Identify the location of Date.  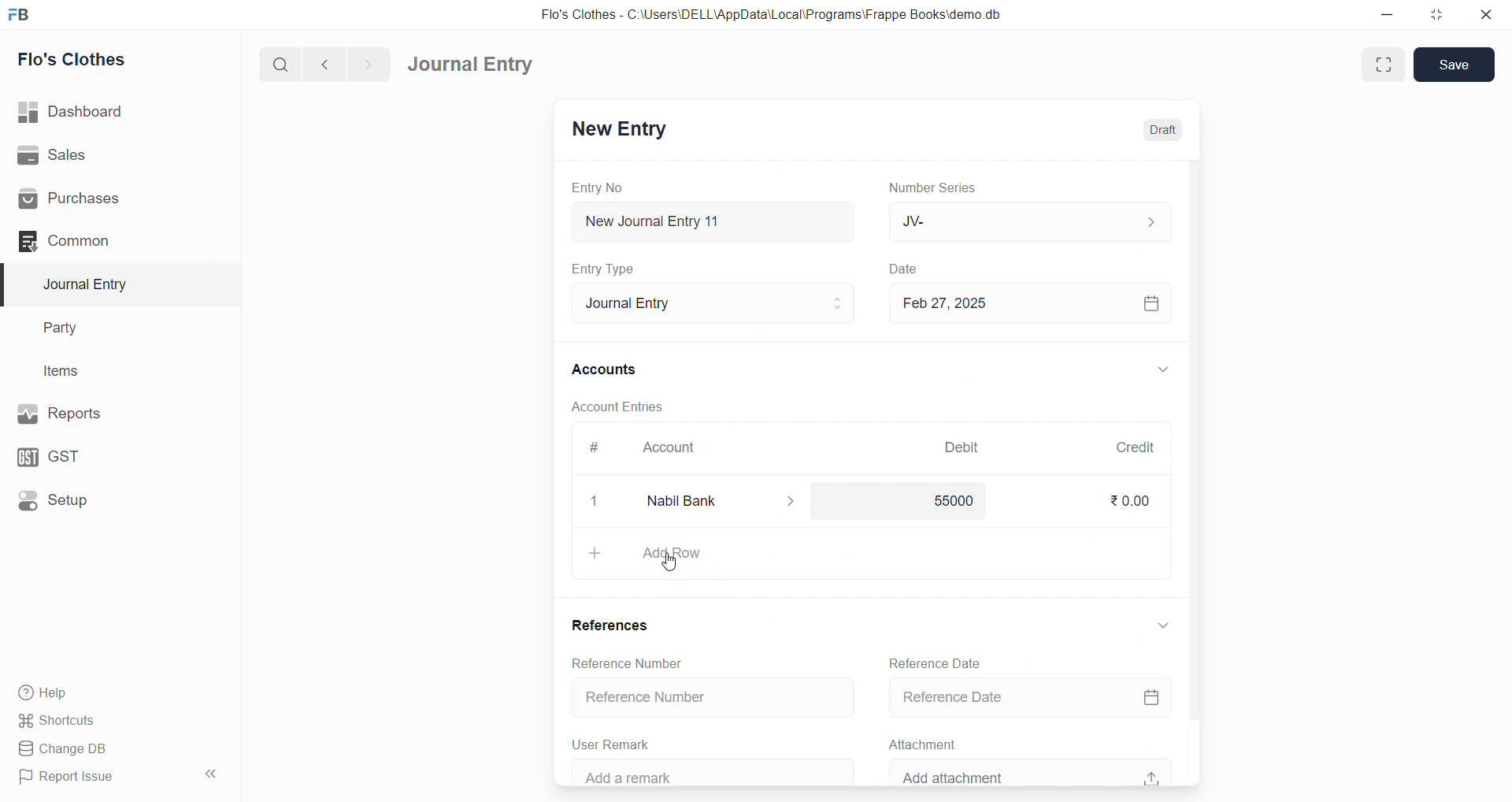
(908, 269).